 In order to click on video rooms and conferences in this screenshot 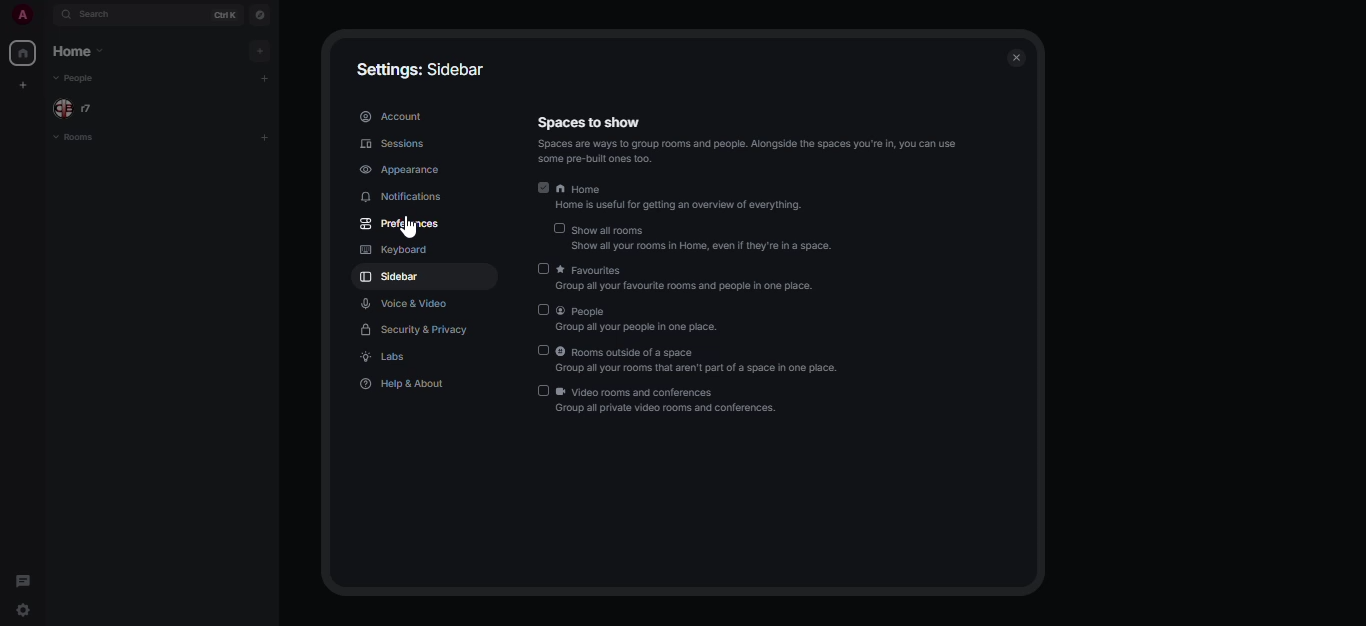, I will do `click(670, 402)`.